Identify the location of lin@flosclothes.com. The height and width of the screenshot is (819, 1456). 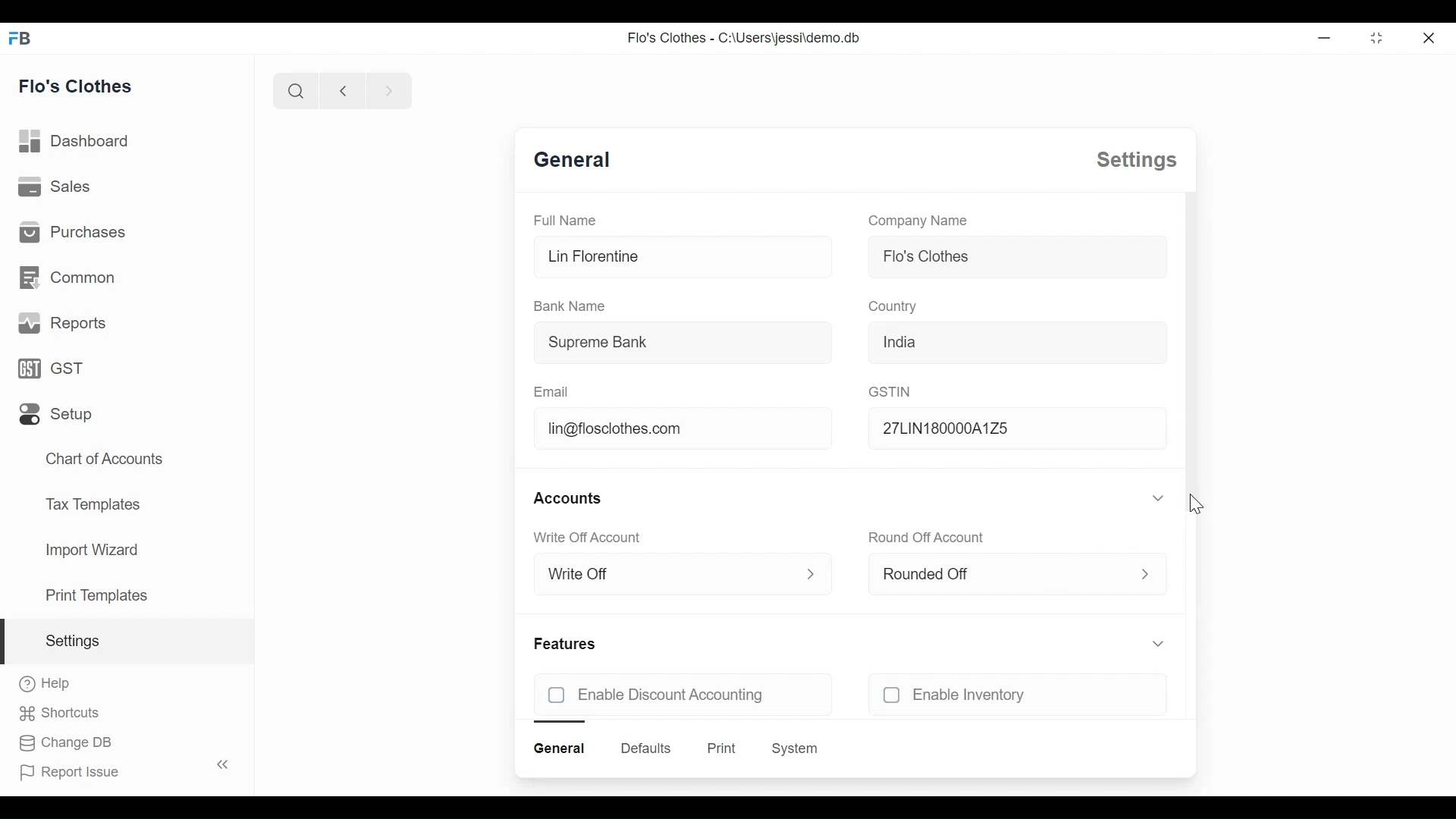
(681, 430).